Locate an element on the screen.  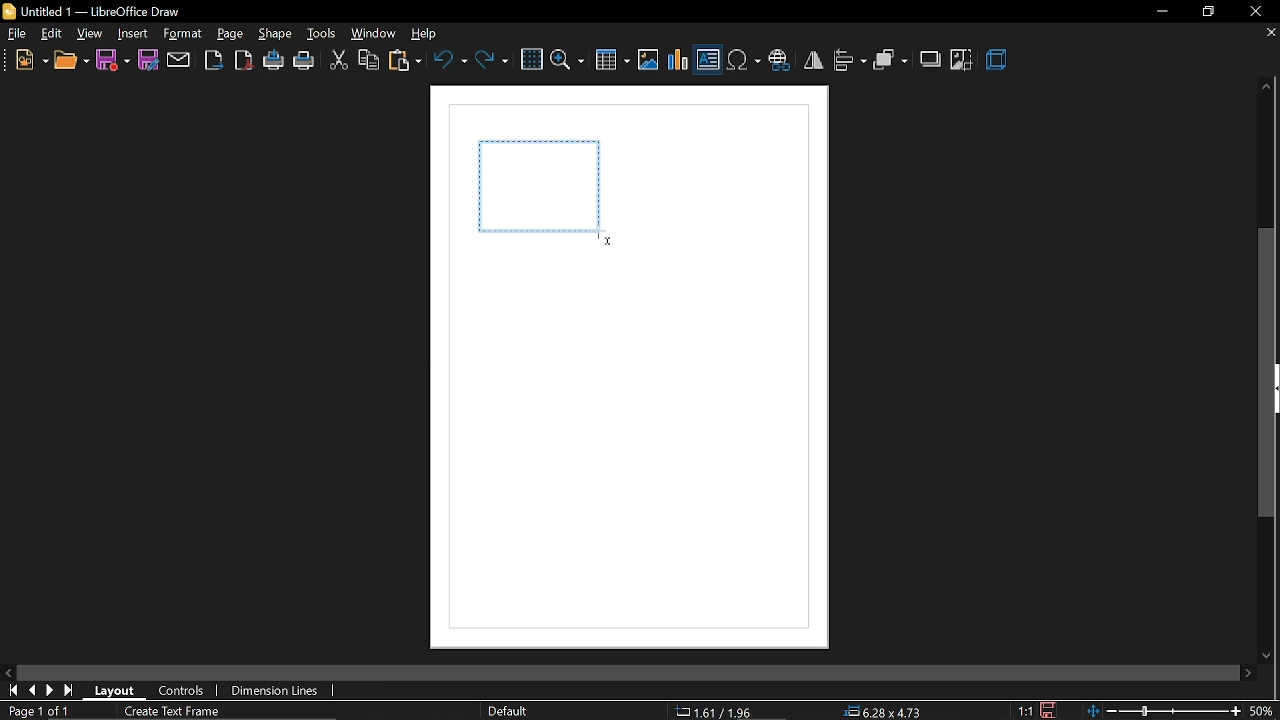
insert image is located at coordinates (648, 61).